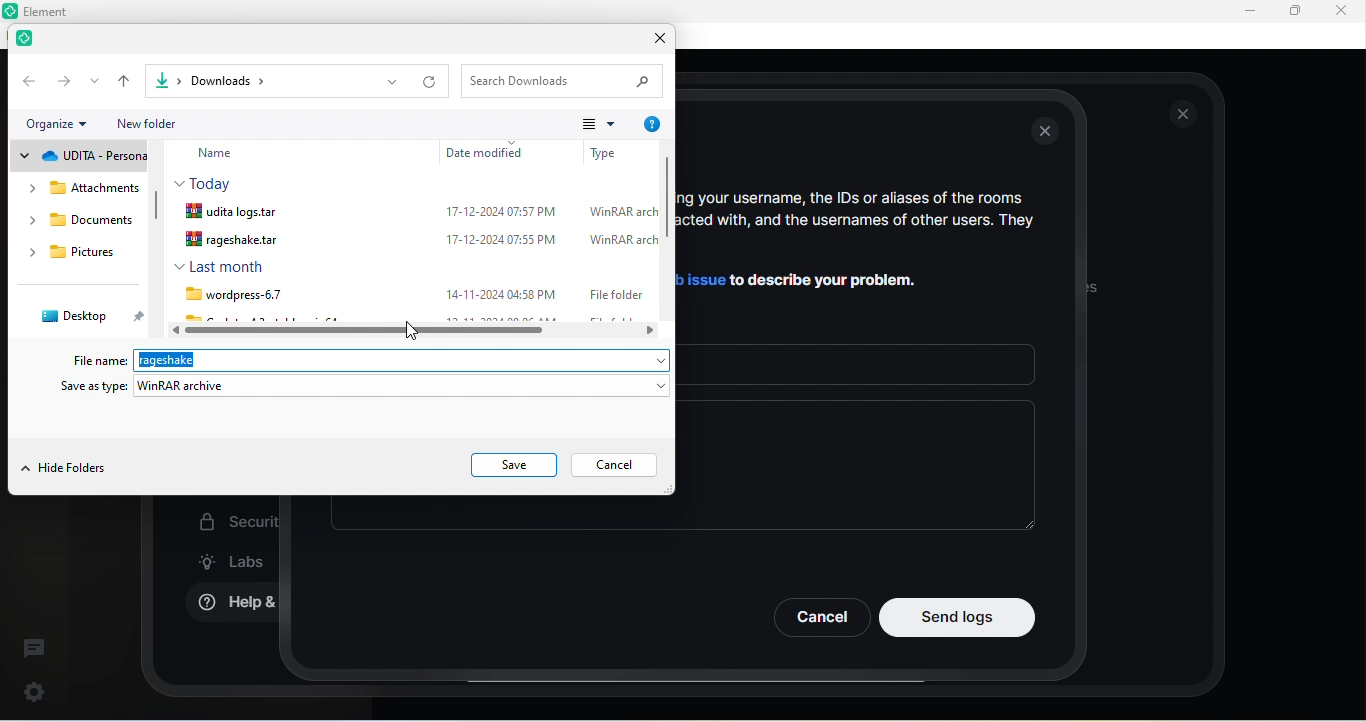 The height and width of the screenshot is (722, 1366). What do you see at coordinates (54, 11) in the screenshot?
I see `Element` at bounding box center [54, 11].